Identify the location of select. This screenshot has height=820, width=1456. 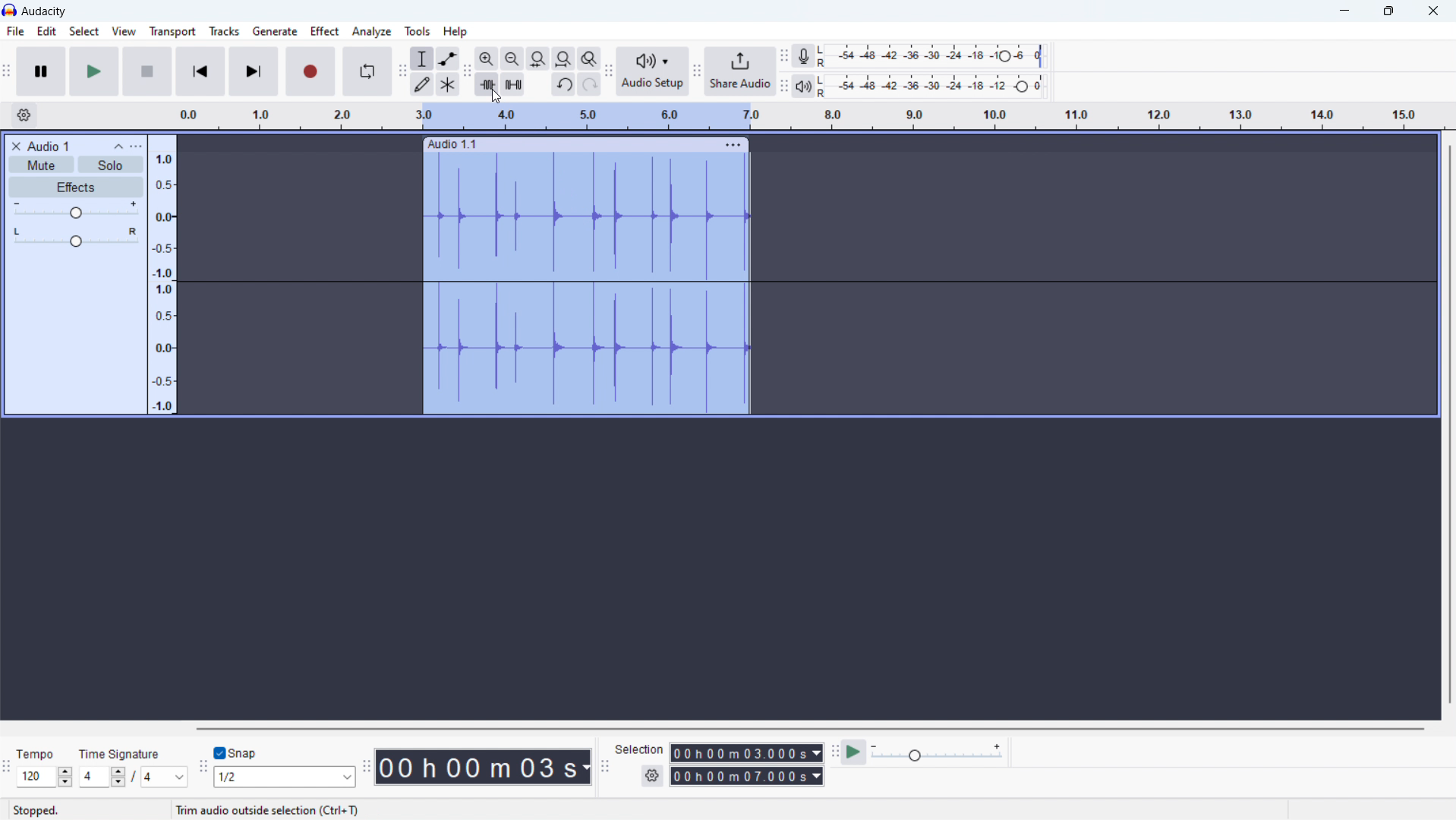
(84, 30).